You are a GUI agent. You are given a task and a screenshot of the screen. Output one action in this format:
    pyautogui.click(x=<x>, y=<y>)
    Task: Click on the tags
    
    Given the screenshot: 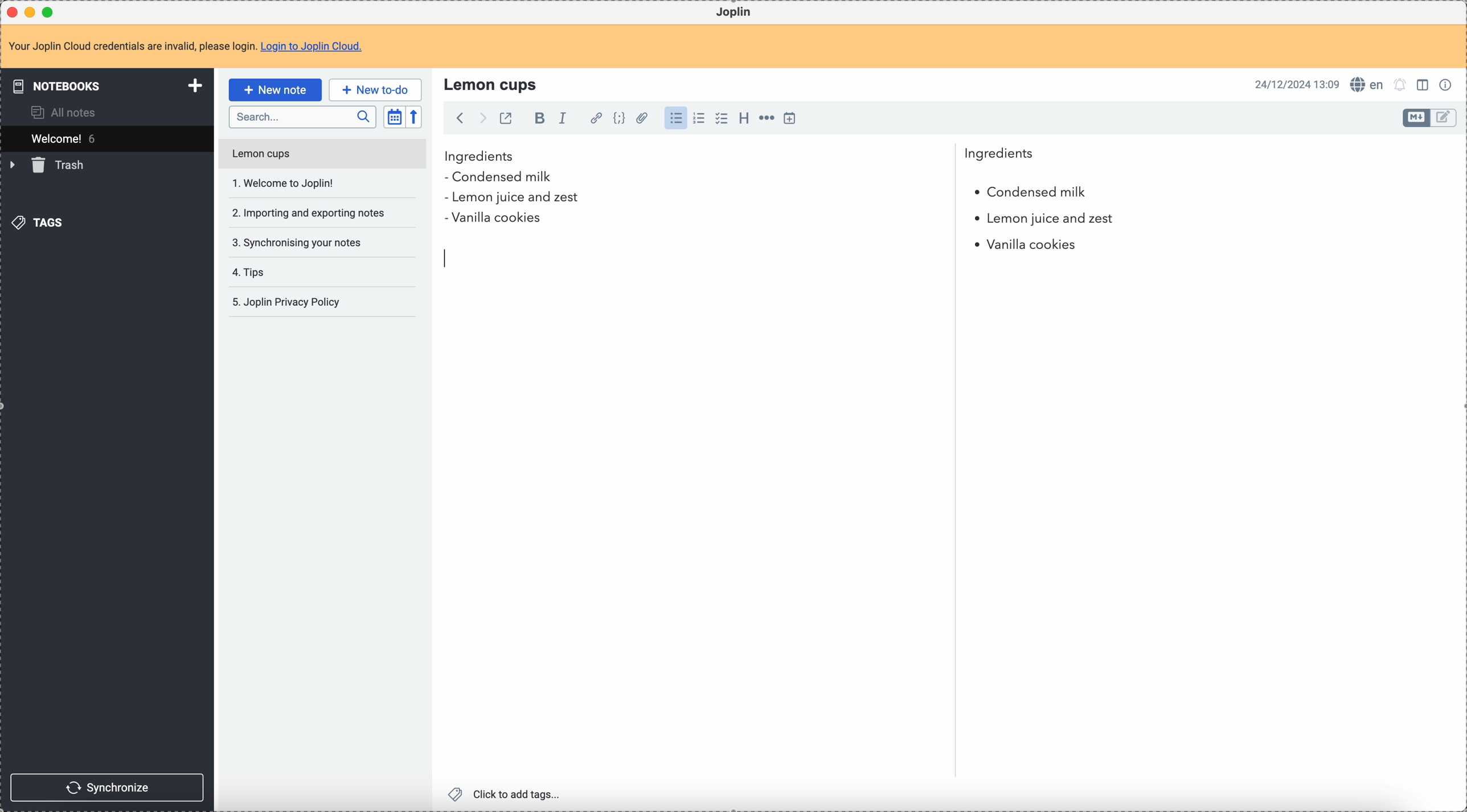 What is the action you would take?
    pyautogui.click(x=40, y=222)
    